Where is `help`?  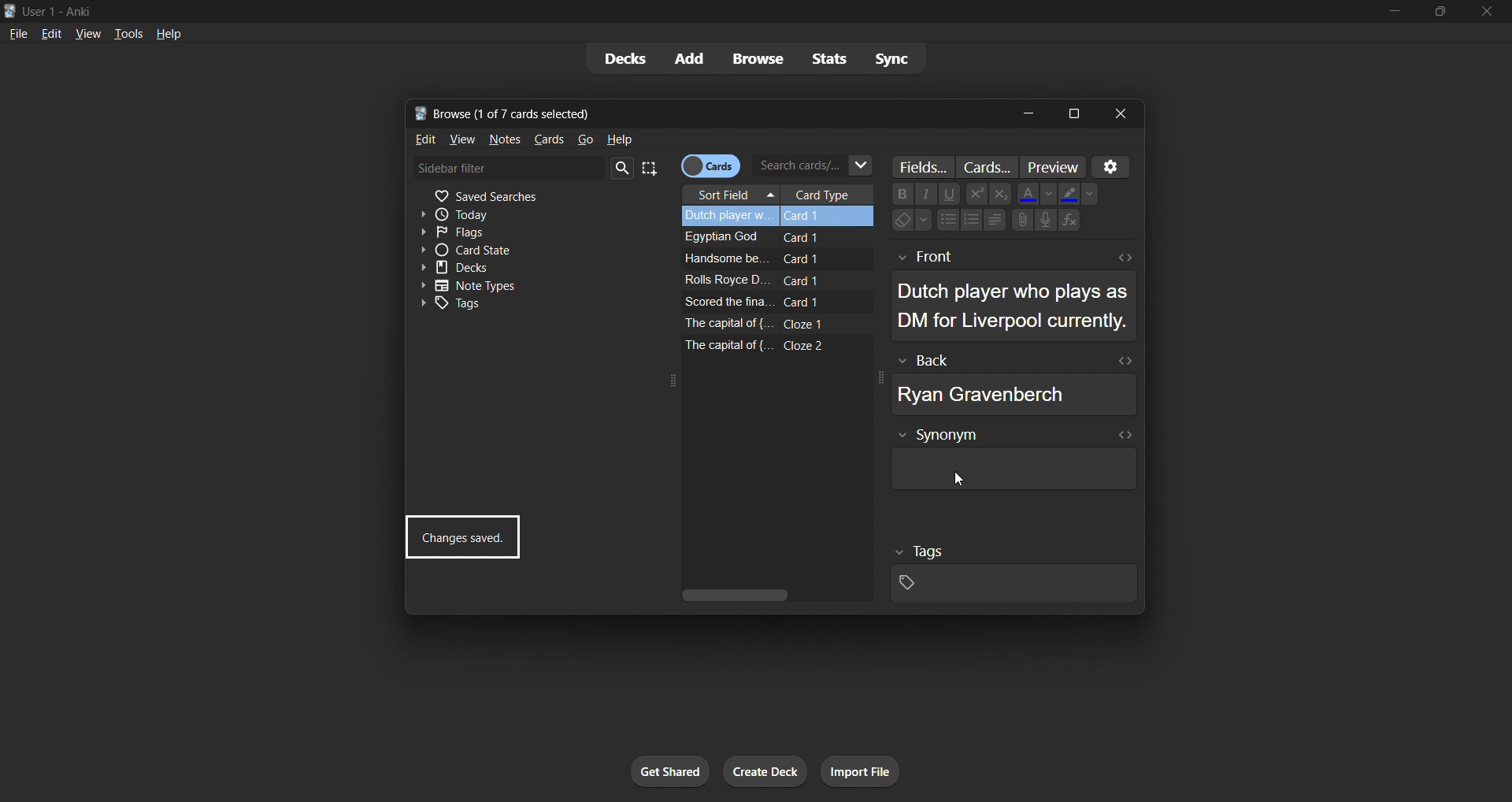
help is located at coordinates (624, 139).